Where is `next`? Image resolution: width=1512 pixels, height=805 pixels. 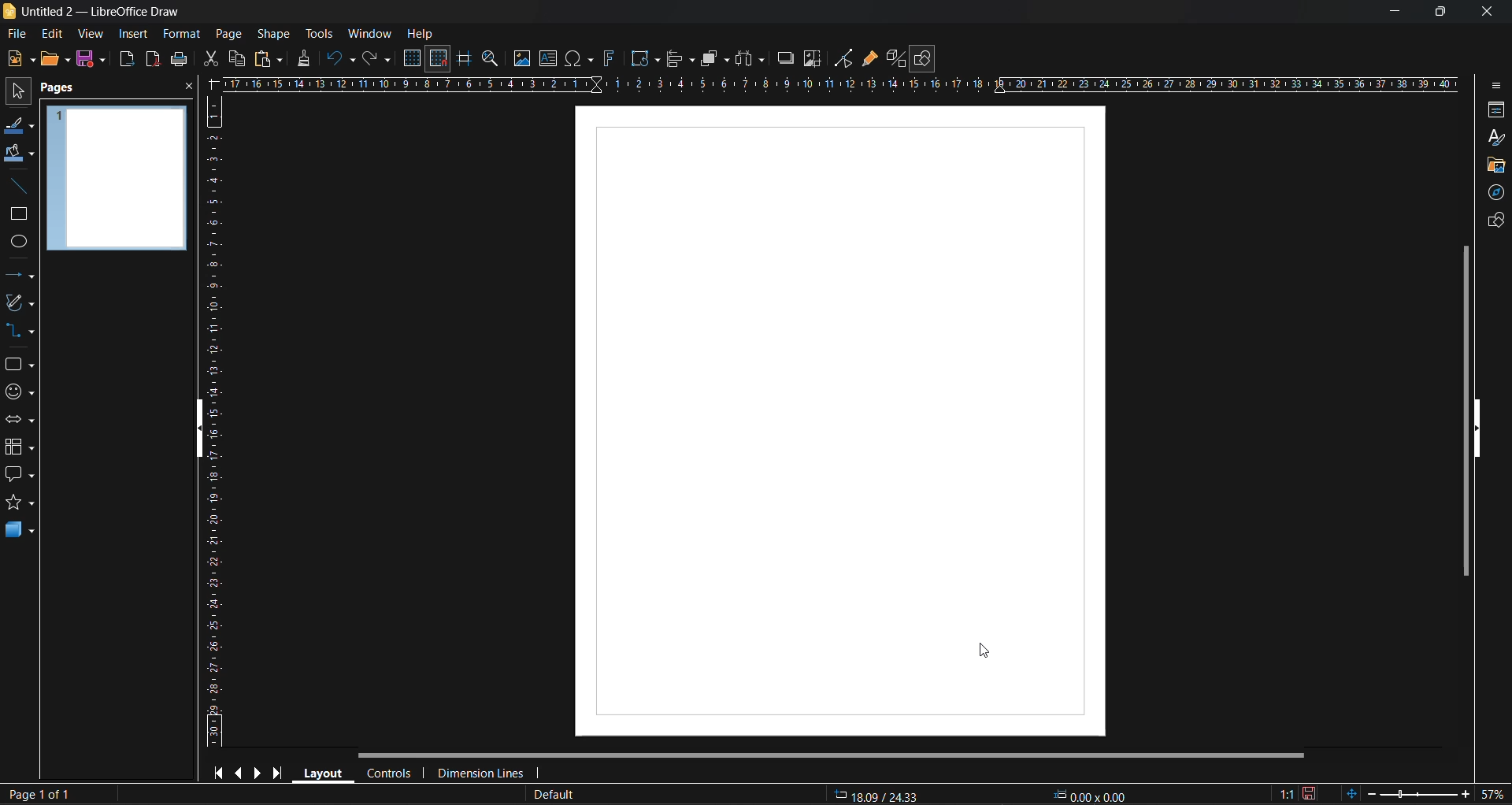 next is located at coordinates (260, 772).